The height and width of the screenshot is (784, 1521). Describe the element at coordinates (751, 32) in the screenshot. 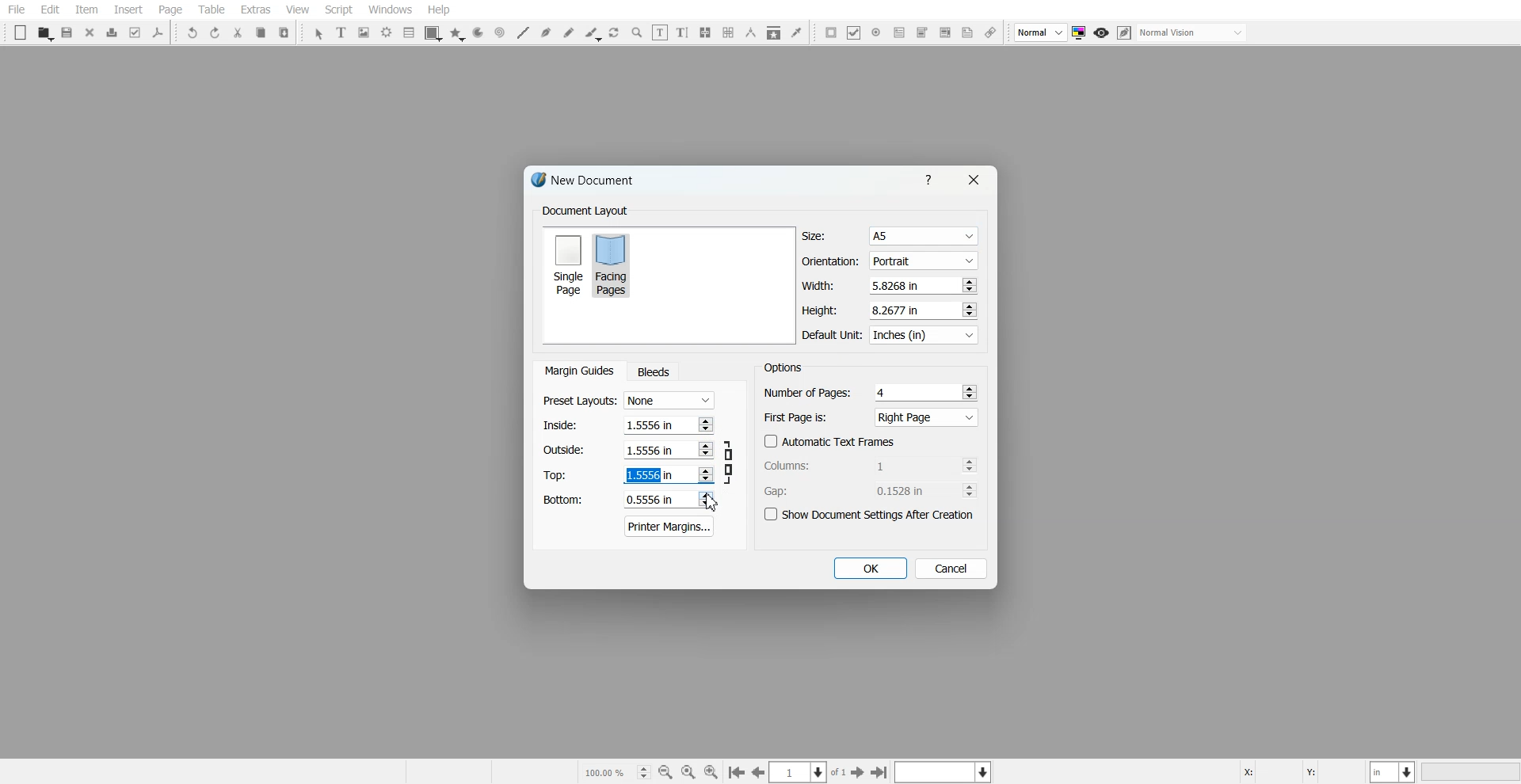

I see `Measurement` at that location.